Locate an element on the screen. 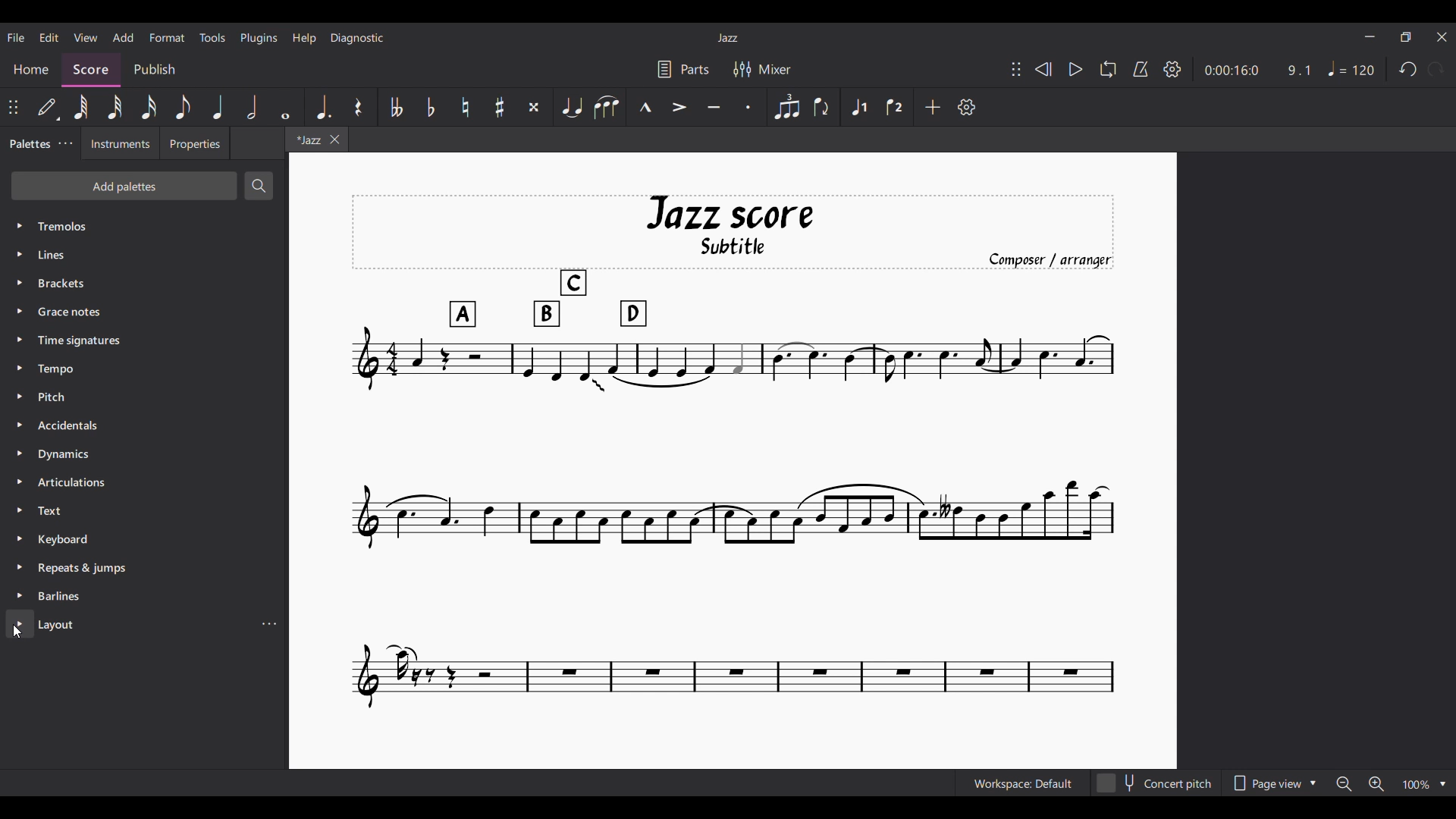 Image resolution: width=1456 pixels, height=819 pixels. Plugins menu is located at coordinates (259, 38).